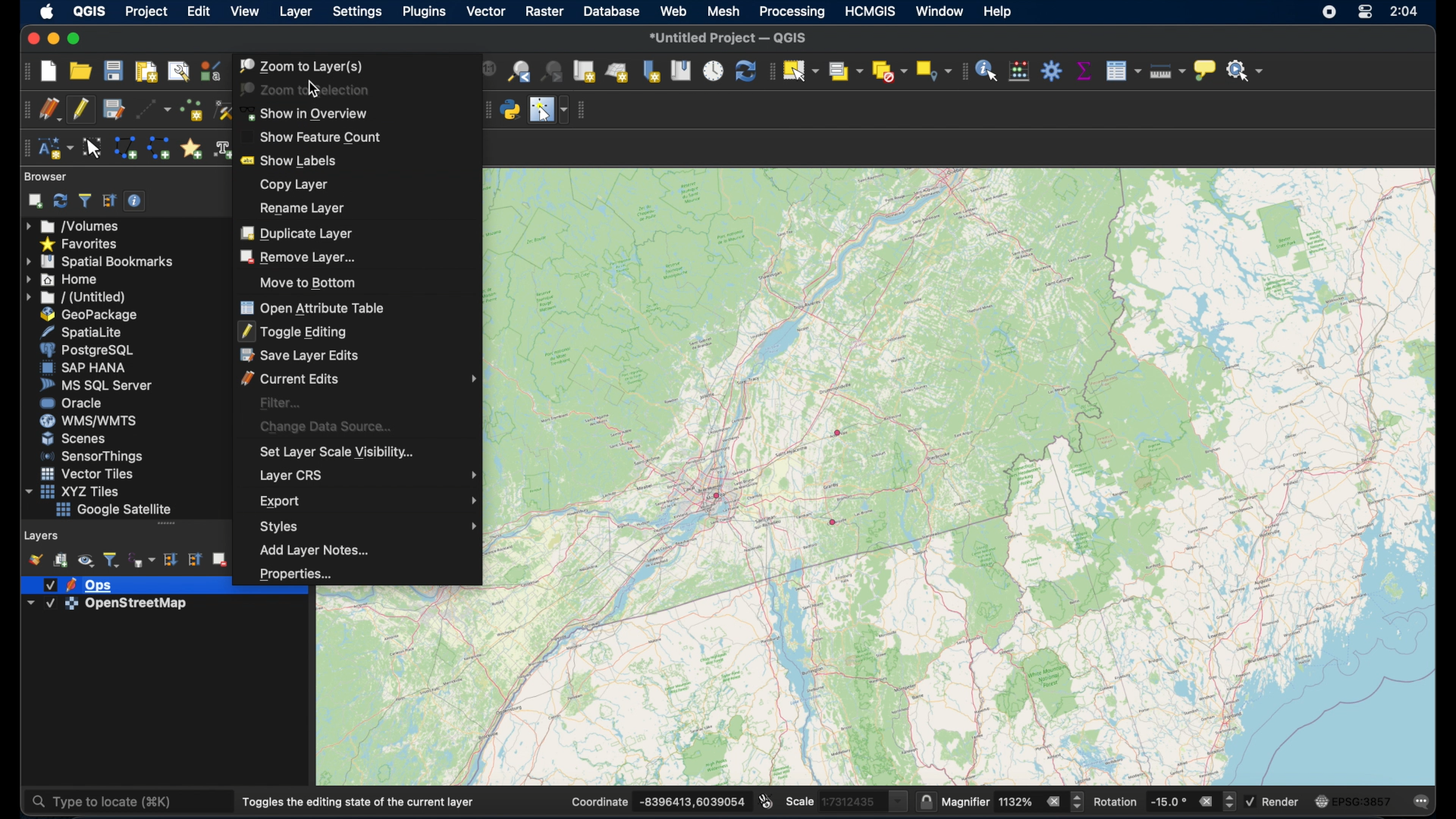  I want to click on toggle editing, so click(293, 331).